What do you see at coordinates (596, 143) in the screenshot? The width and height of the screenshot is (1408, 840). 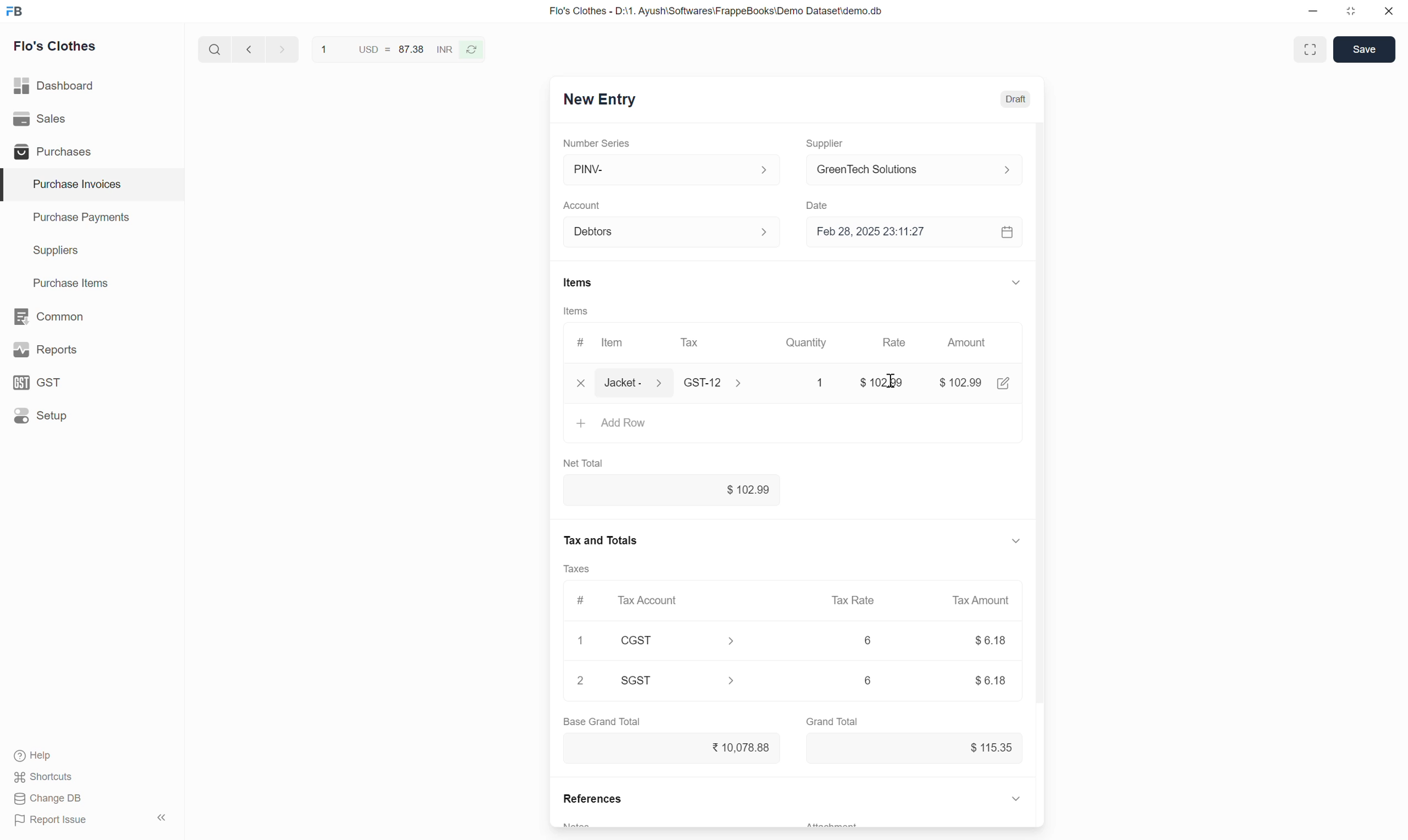 I see `Number Series` at bounding box center [596, 143].